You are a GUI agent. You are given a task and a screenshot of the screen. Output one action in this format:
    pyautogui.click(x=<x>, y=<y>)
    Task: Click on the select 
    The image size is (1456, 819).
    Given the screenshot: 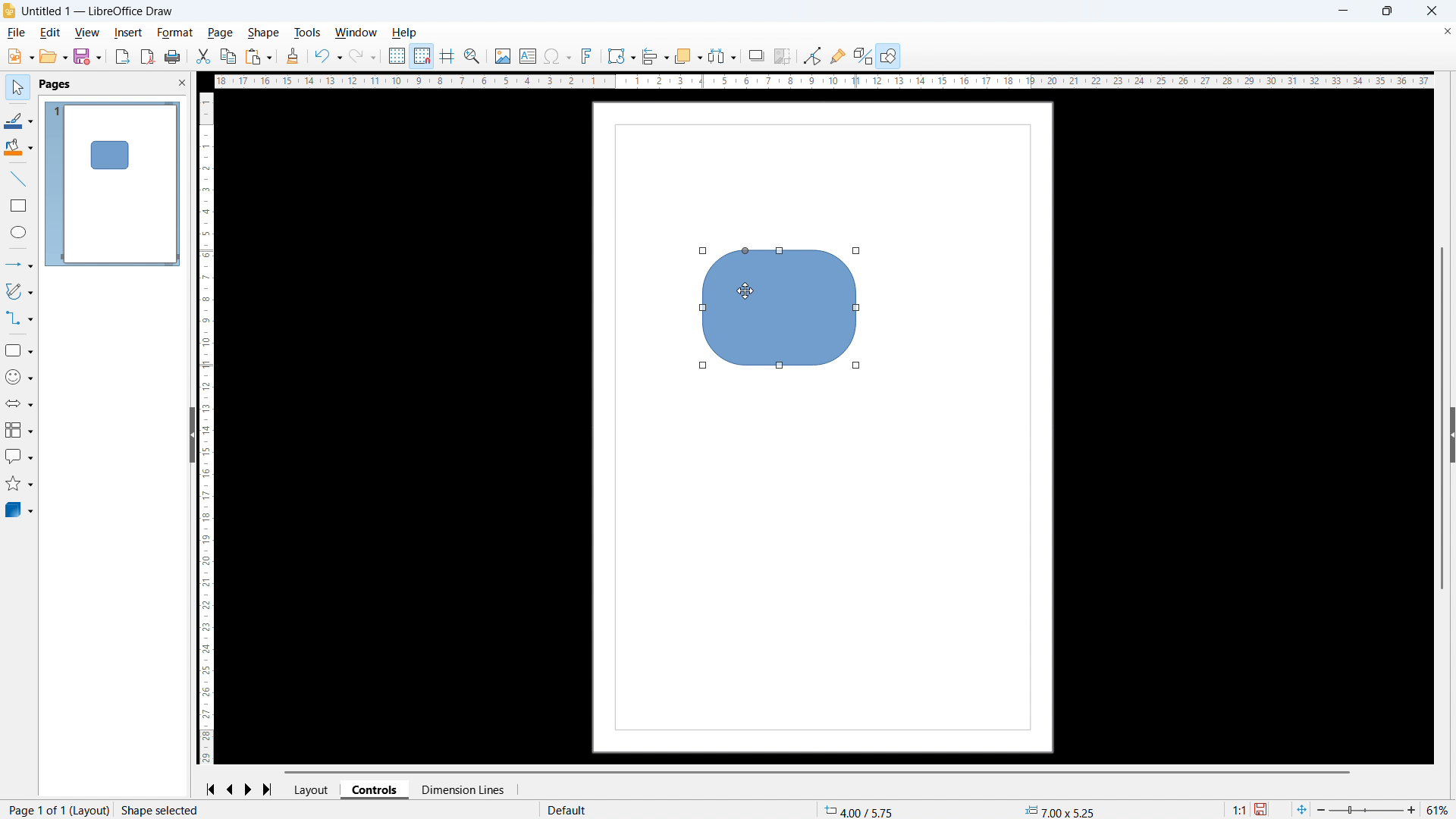 What is the action you would take?
    pyautogui.click(x=16, y=88)
    